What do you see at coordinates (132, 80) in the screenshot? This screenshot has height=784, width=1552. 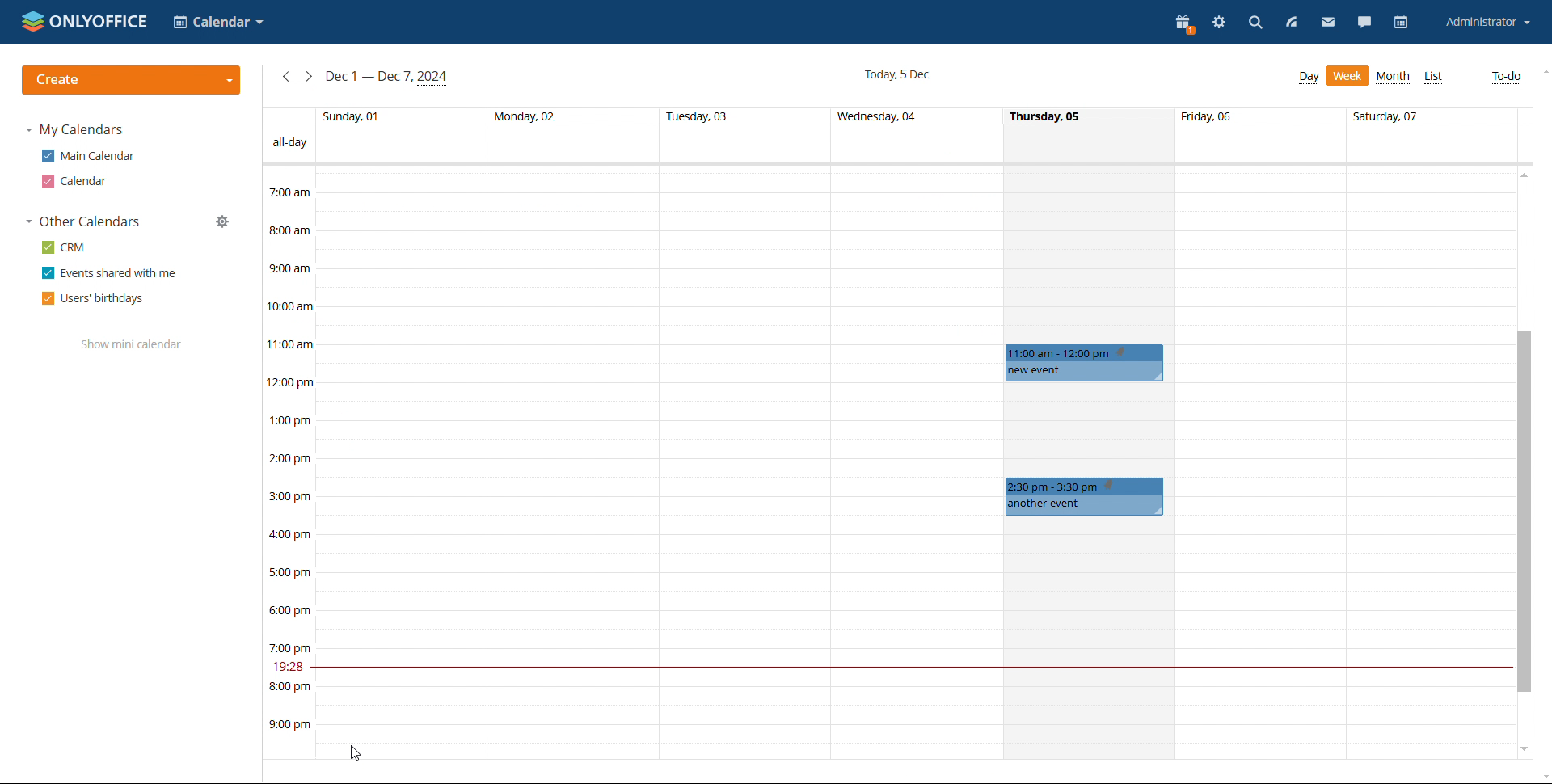 I see `create` at bounding box center [132, 80].